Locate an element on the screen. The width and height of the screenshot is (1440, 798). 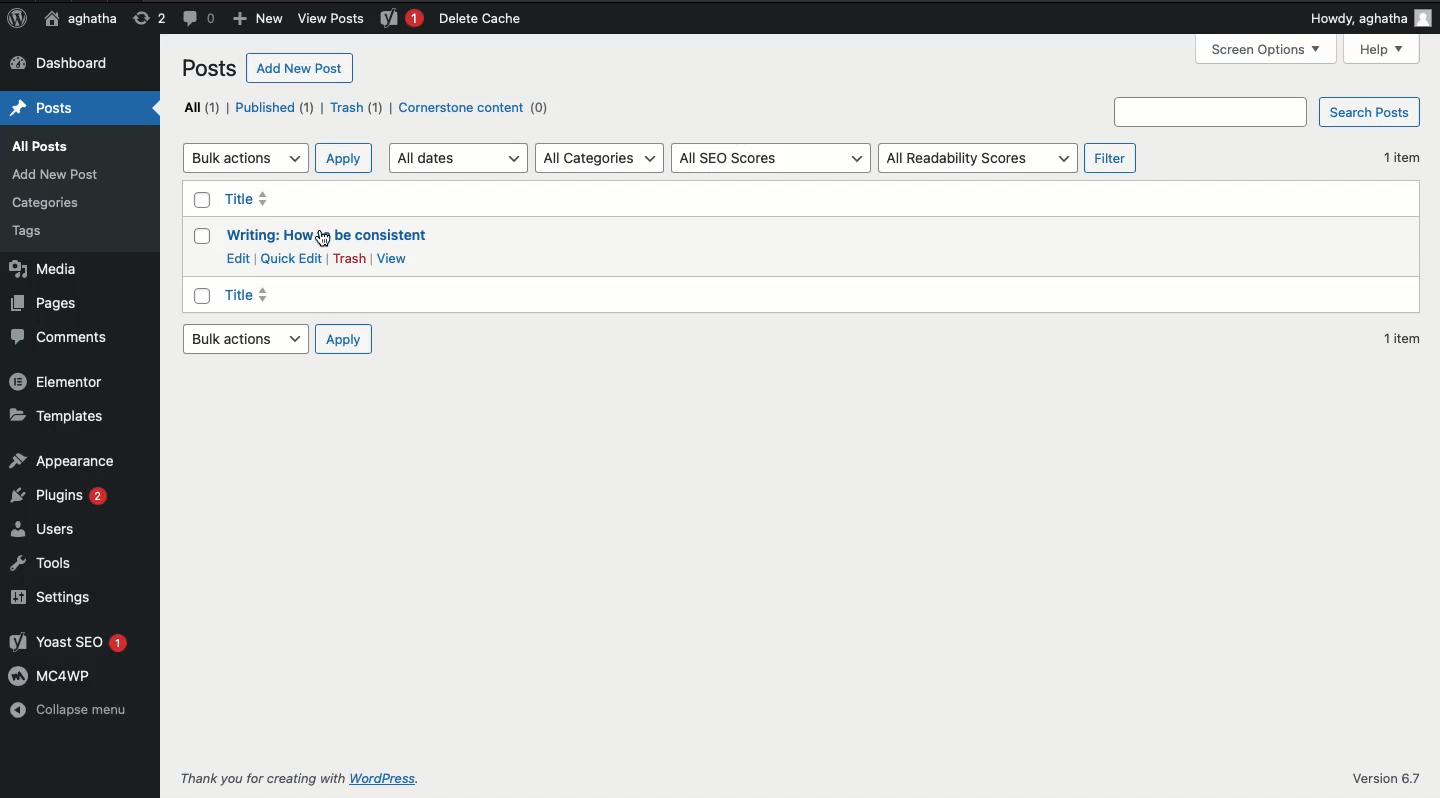
Plugins 2 is located at coordinates (62, 496).